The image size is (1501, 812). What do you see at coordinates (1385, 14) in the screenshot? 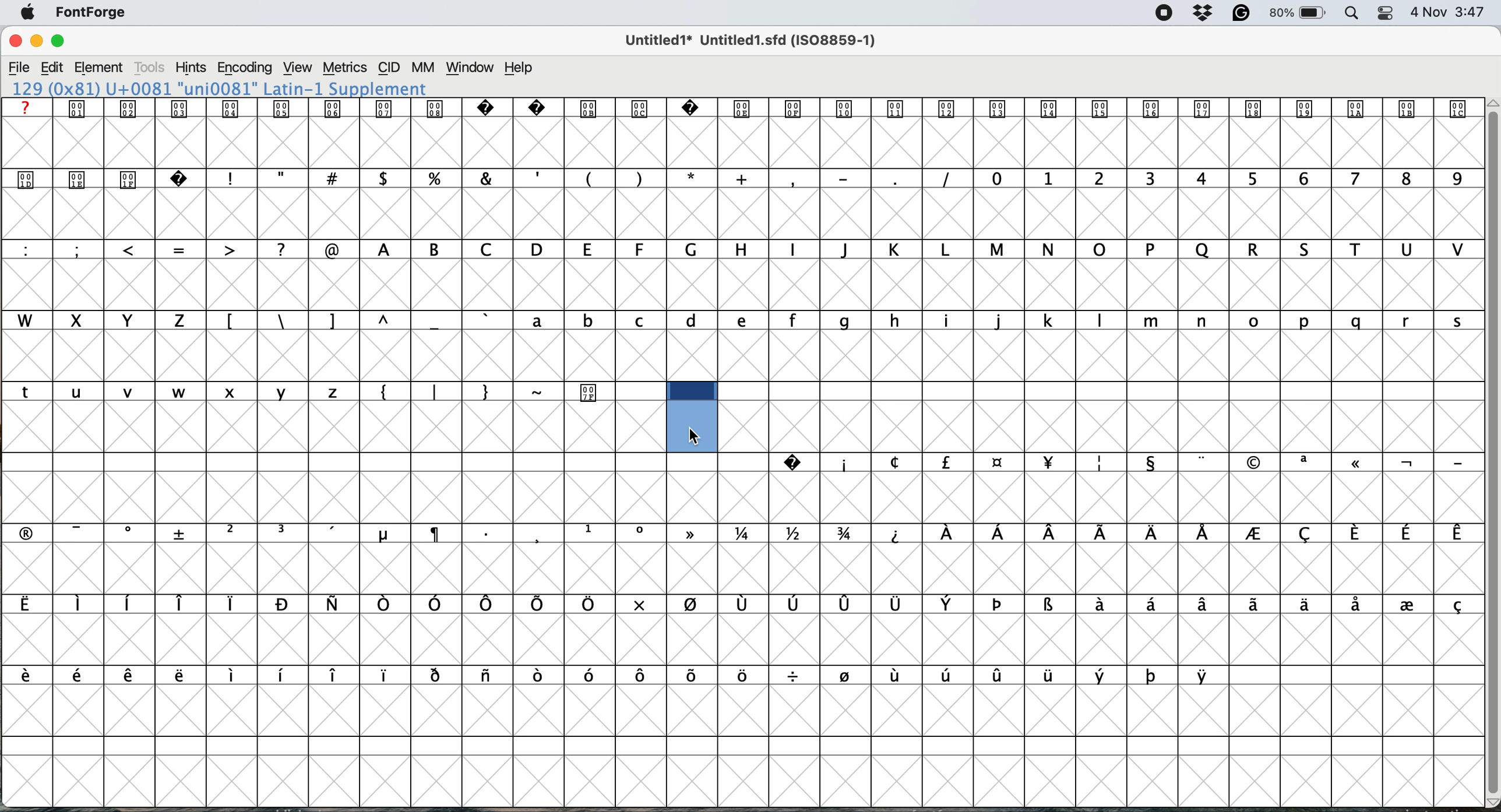
I see `Control Center` at bounding box center [1385, 14].